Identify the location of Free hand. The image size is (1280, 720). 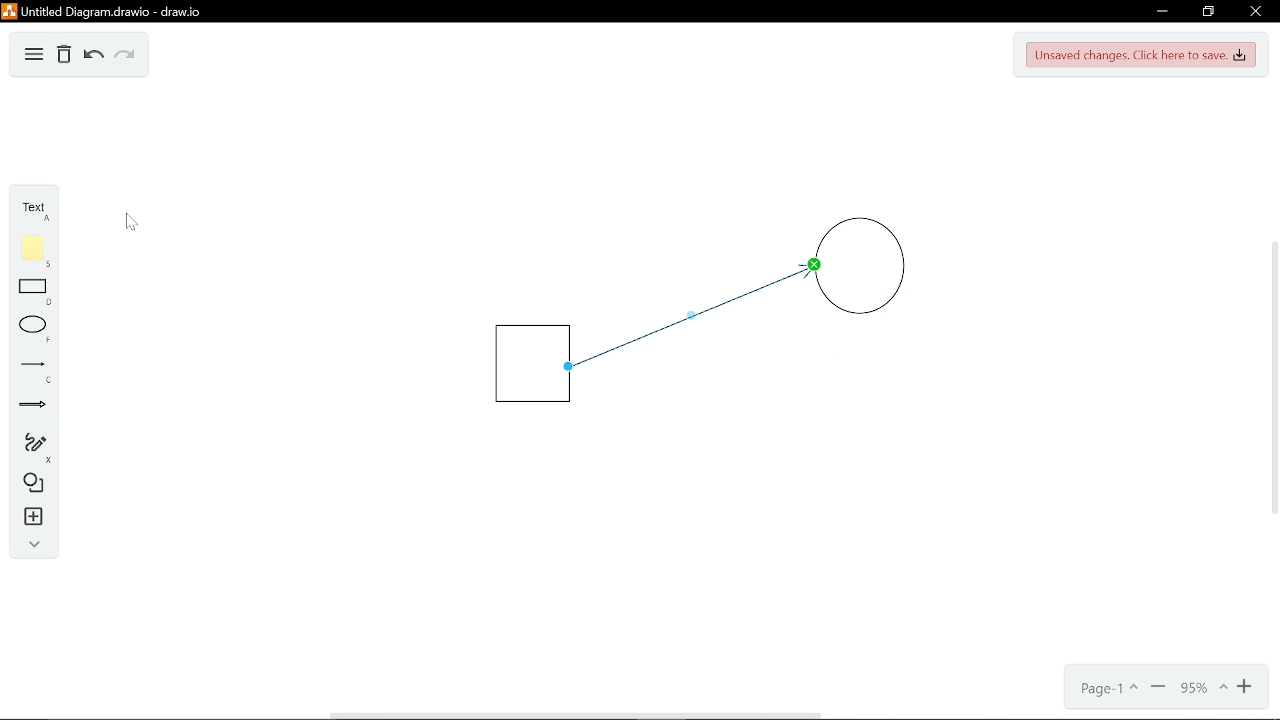
(27, 446).